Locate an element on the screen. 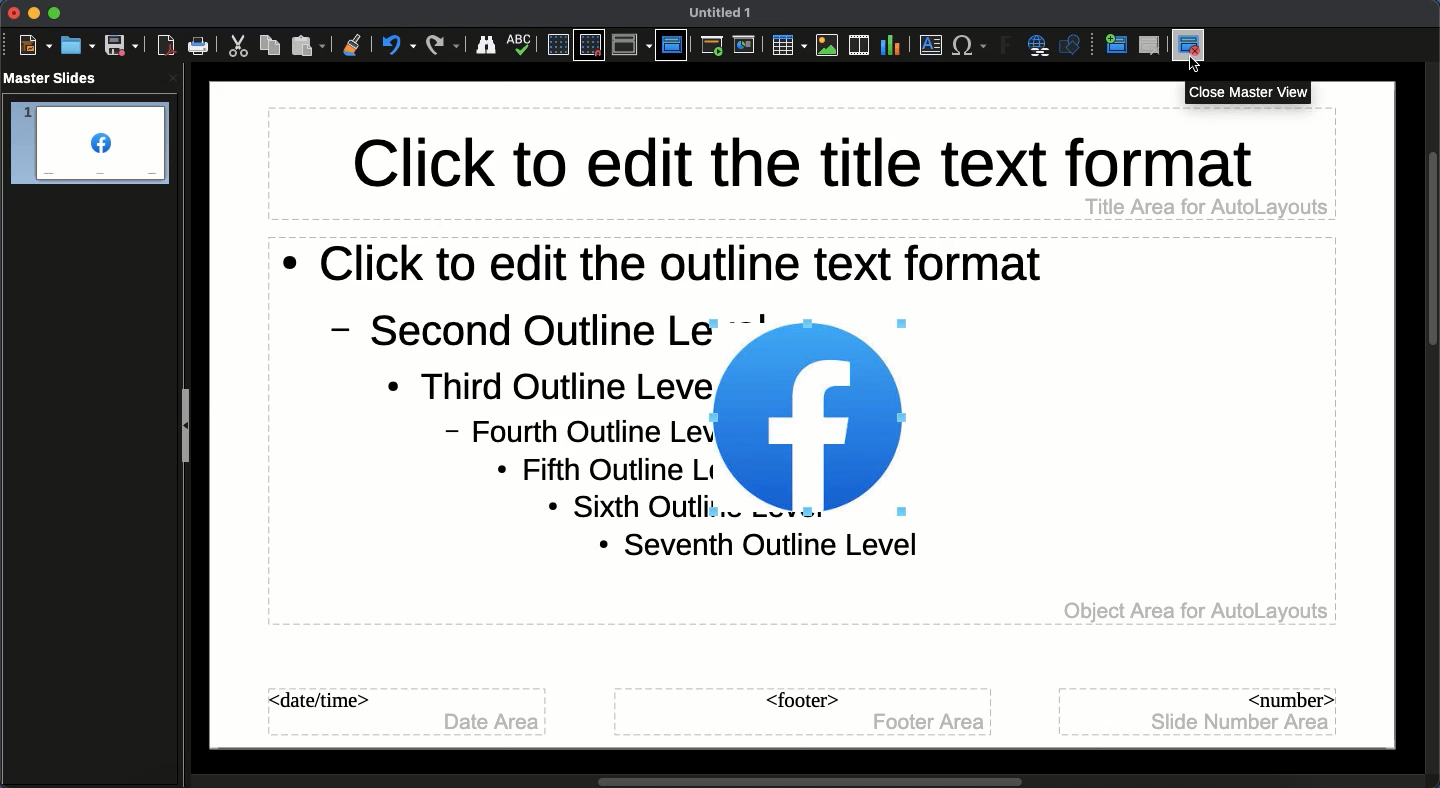 The height and width of the screenshot is (788, 1440). Open is located at coordinates (75, 46).